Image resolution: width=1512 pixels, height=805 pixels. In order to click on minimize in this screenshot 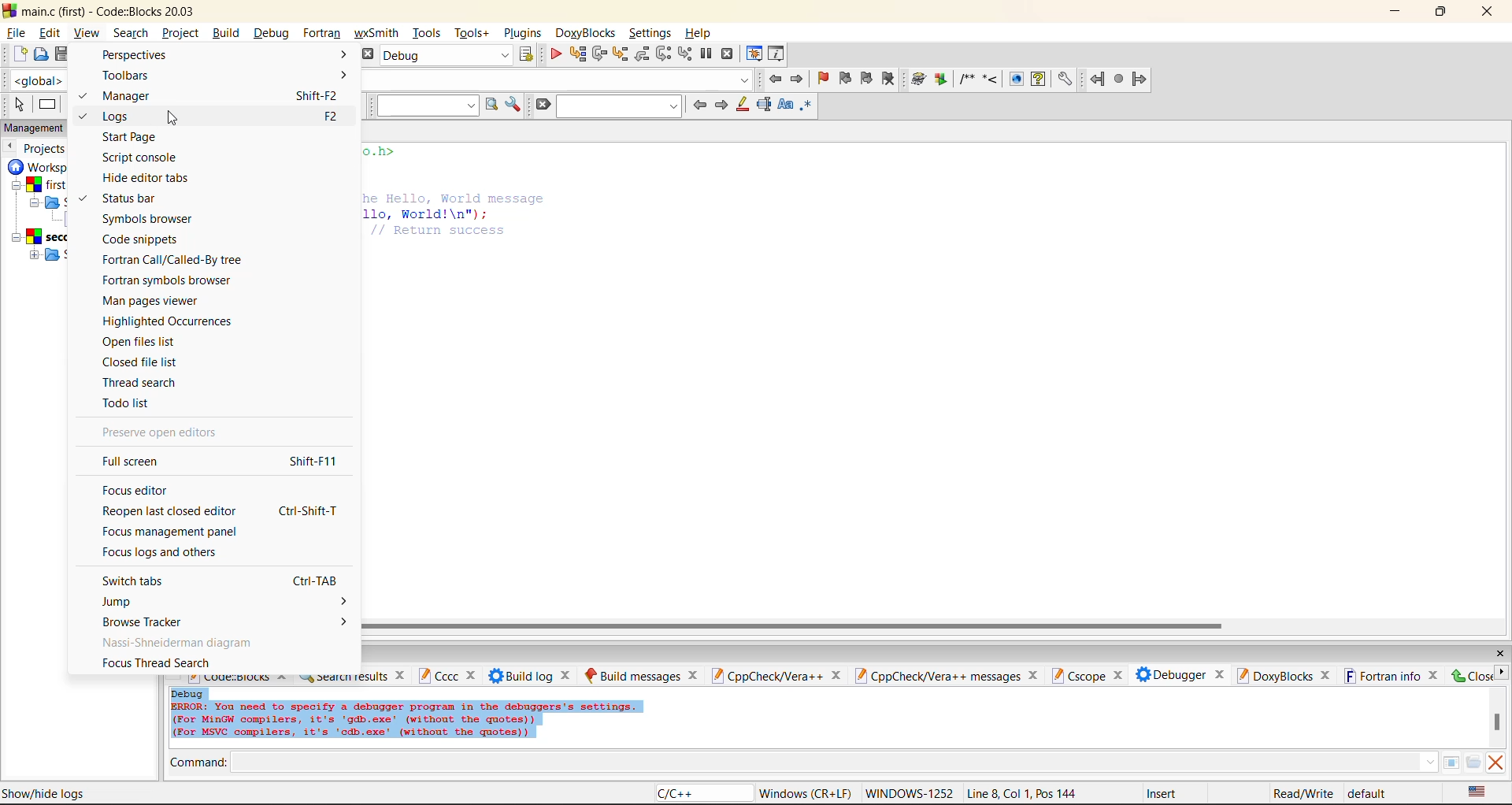, I will do `click(1397, 12)`.